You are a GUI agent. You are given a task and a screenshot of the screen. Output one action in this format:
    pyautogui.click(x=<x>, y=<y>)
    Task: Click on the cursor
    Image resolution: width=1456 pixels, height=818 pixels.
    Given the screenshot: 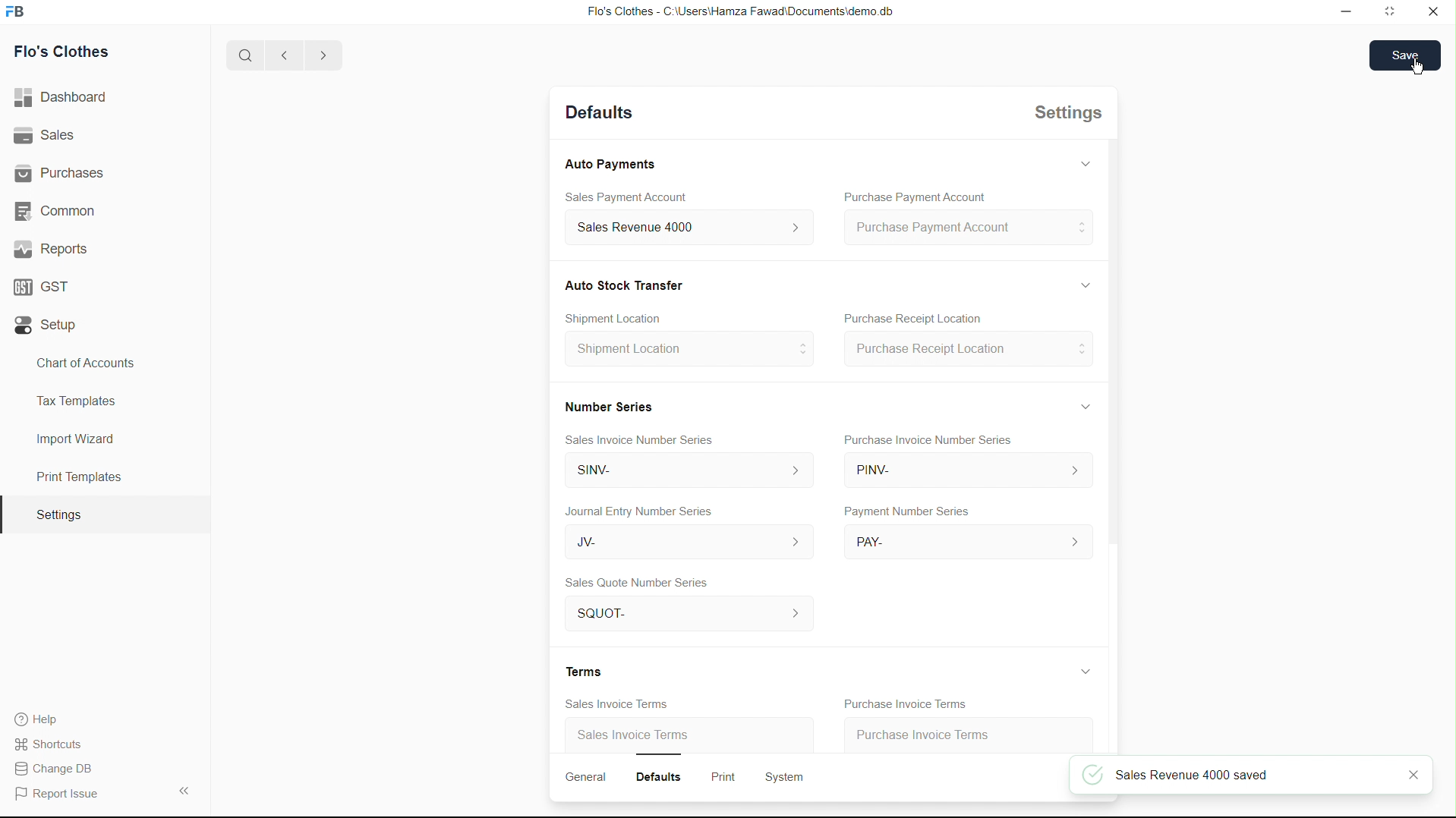 What is the action you would take?
    pyautogui.click(x=1417, y=67)
    